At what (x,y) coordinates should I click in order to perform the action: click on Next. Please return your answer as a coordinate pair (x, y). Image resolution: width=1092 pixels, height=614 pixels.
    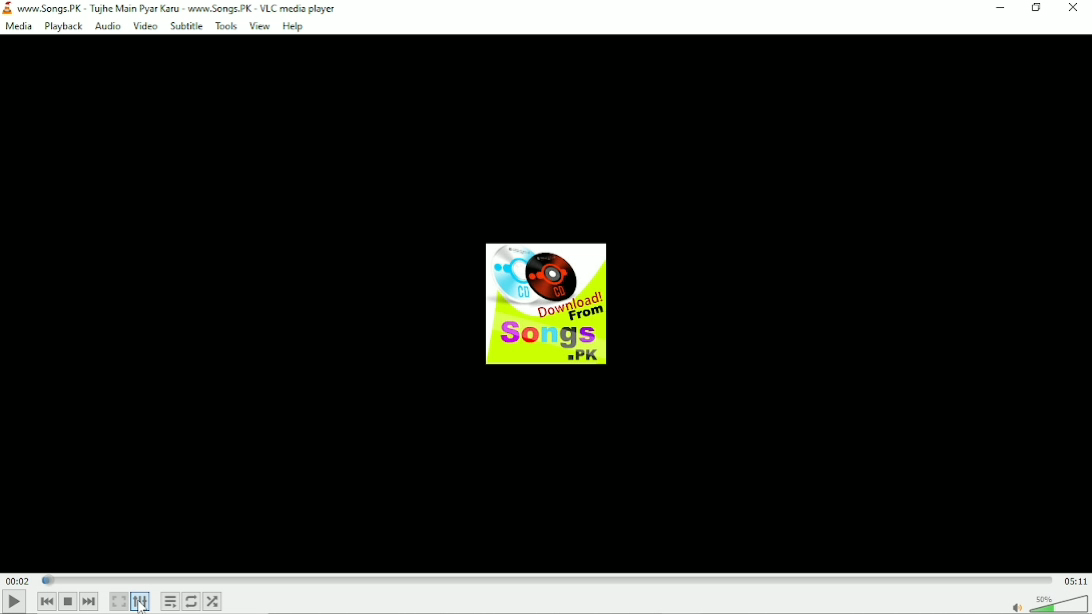
    Looking at the image, I should click on (90, 601).